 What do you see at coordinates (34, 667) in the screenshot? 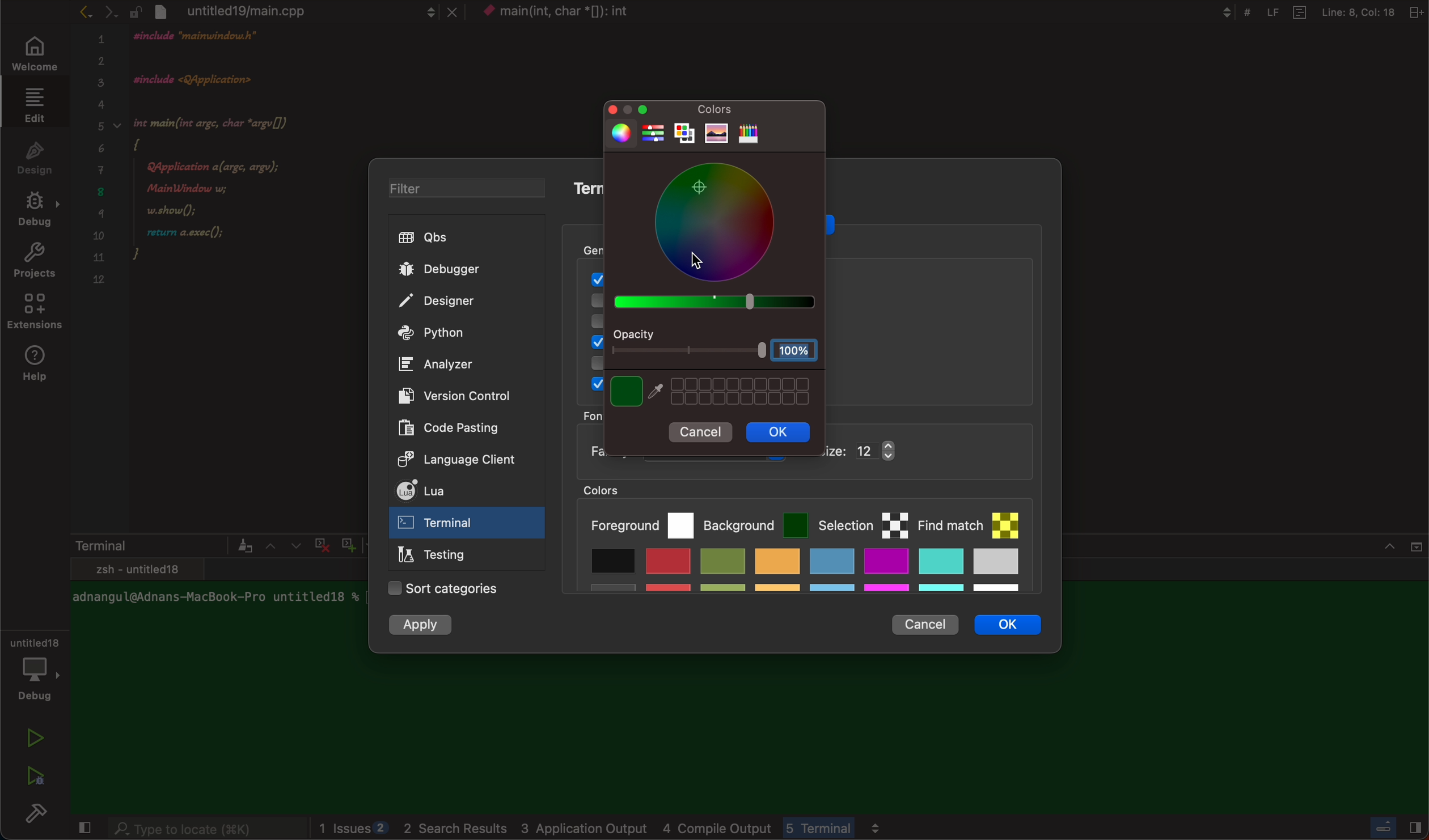
I see `debugger` at bounding box center [34, 667].